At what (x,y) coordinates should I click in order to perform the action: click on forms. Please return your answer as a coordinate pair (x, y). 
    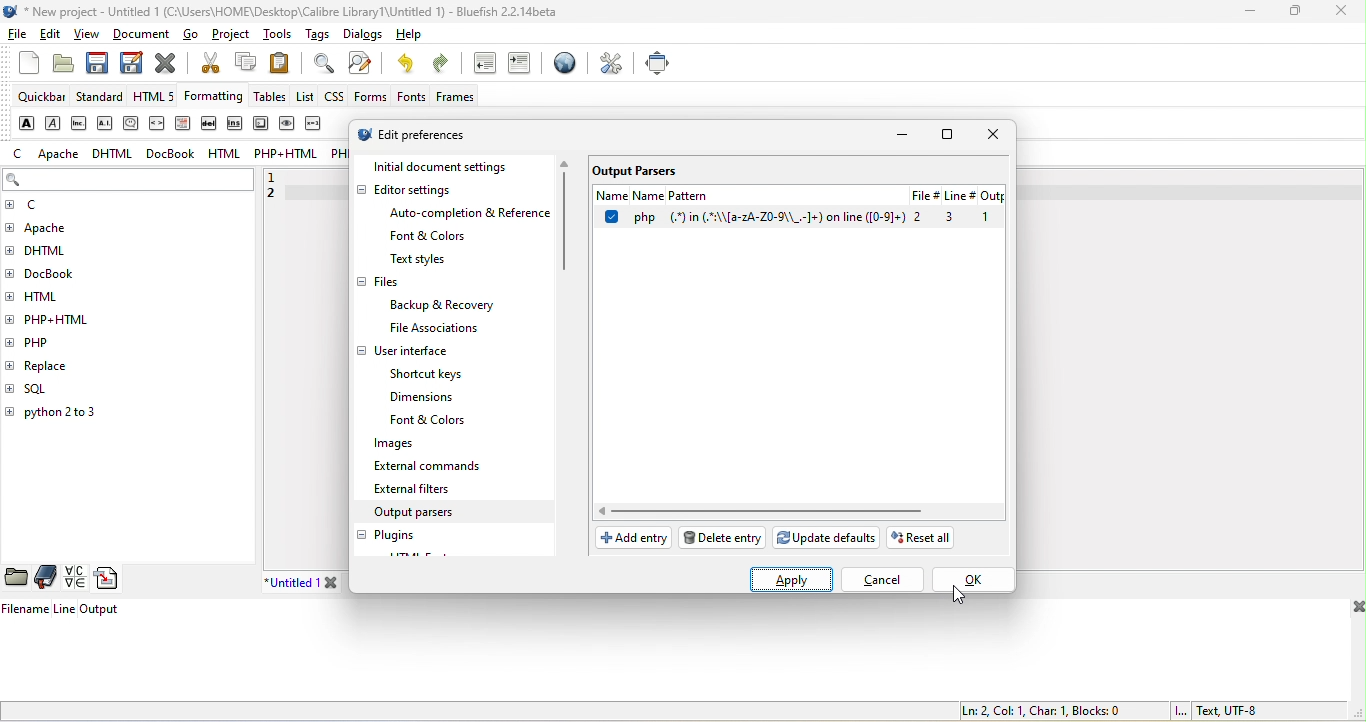
    Looking at the image, I should click on (370, 96).